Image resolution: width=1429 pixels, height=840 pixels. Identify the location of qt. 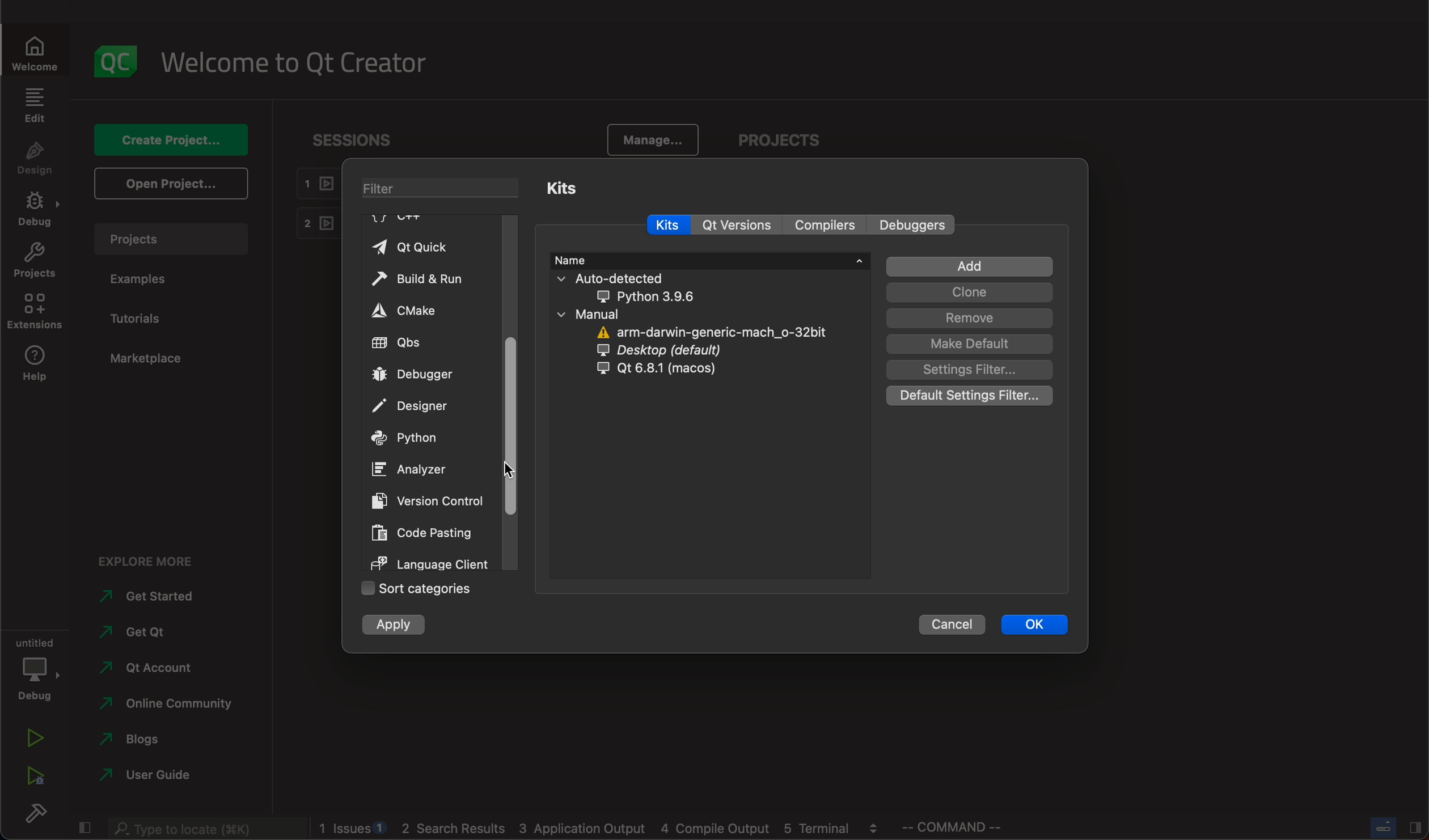
(145, 630).